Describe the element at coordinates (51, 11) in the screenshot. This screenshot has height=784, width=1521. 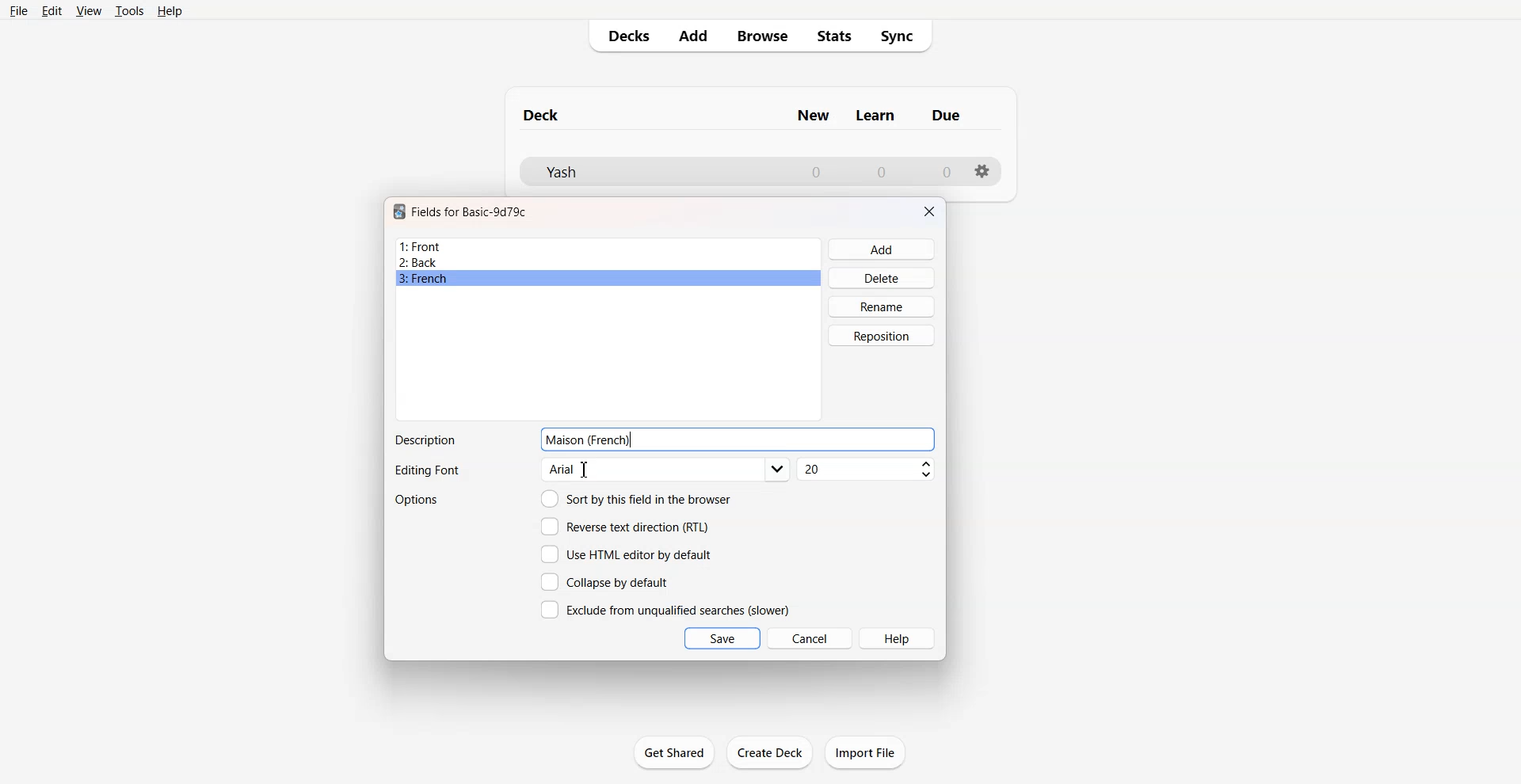
I see `Edit` at that location.